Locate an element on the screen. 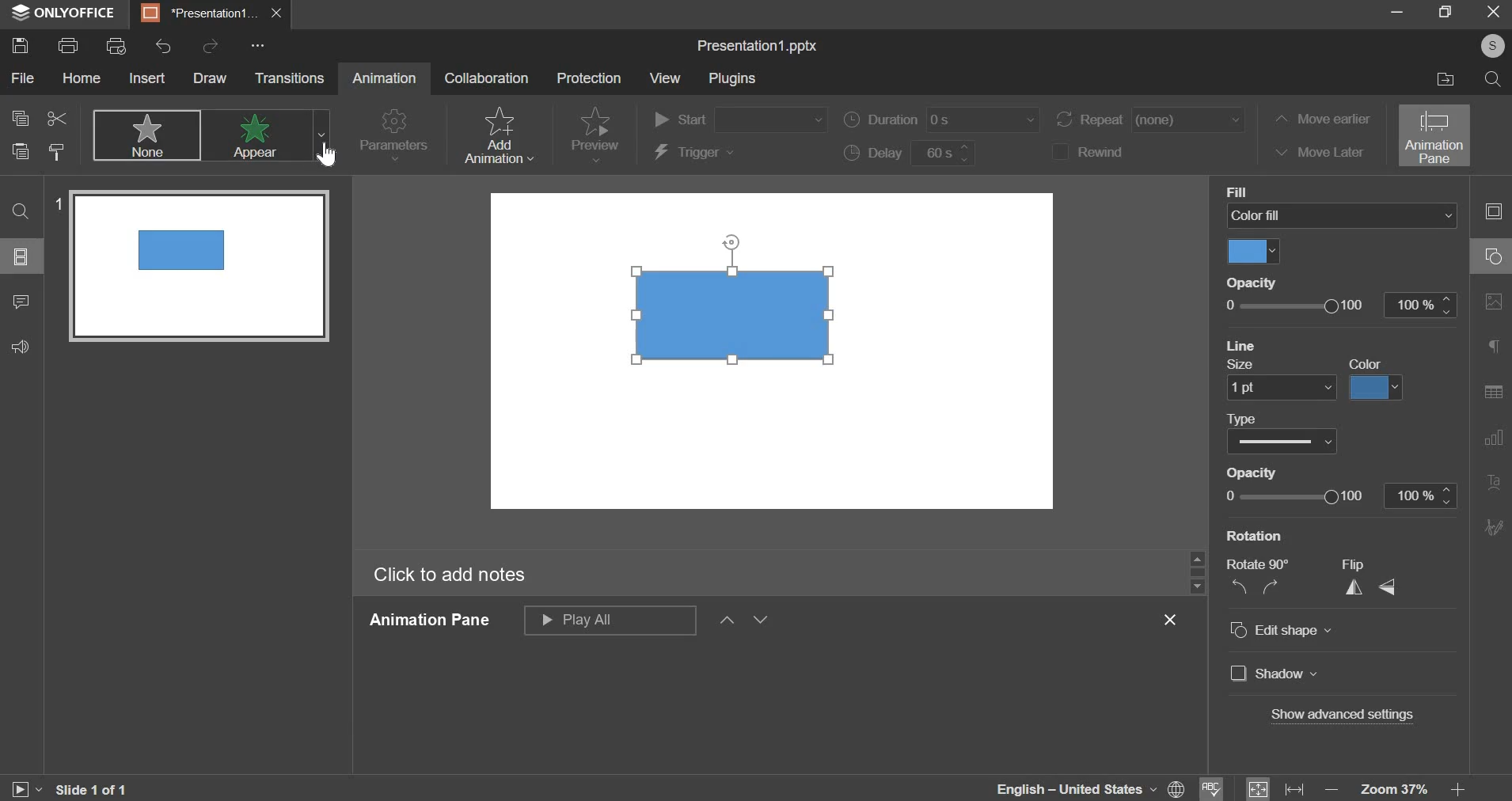 This screenshot has width=1512, height=801. up is located at coordinates (727, 623).